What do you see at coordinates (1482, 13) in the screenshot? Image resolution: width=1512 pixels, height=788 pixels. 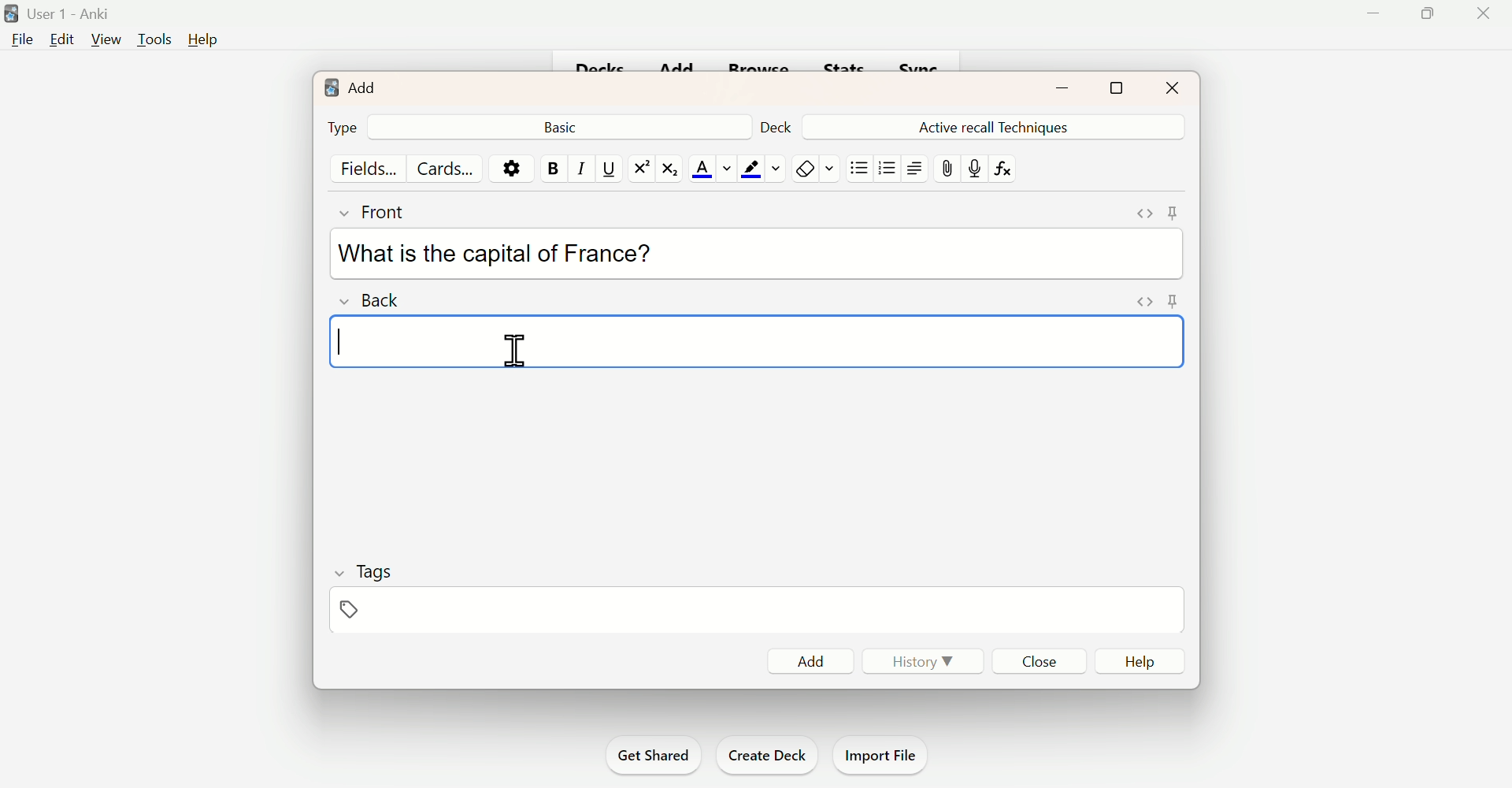 I see `Close` at bounding box center [1482, 13].